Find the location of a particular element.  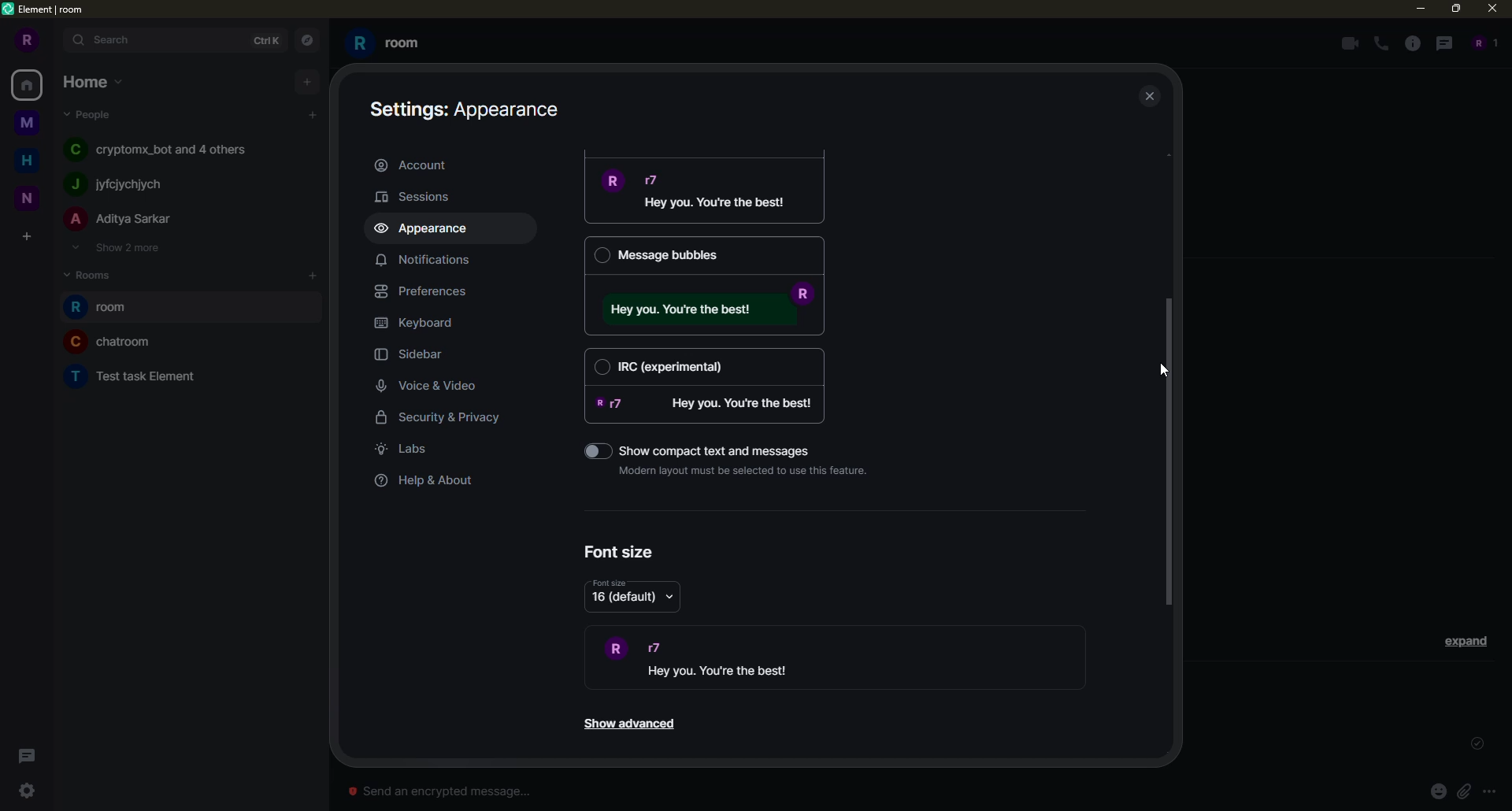

font size is located at coordinates (621, 552).